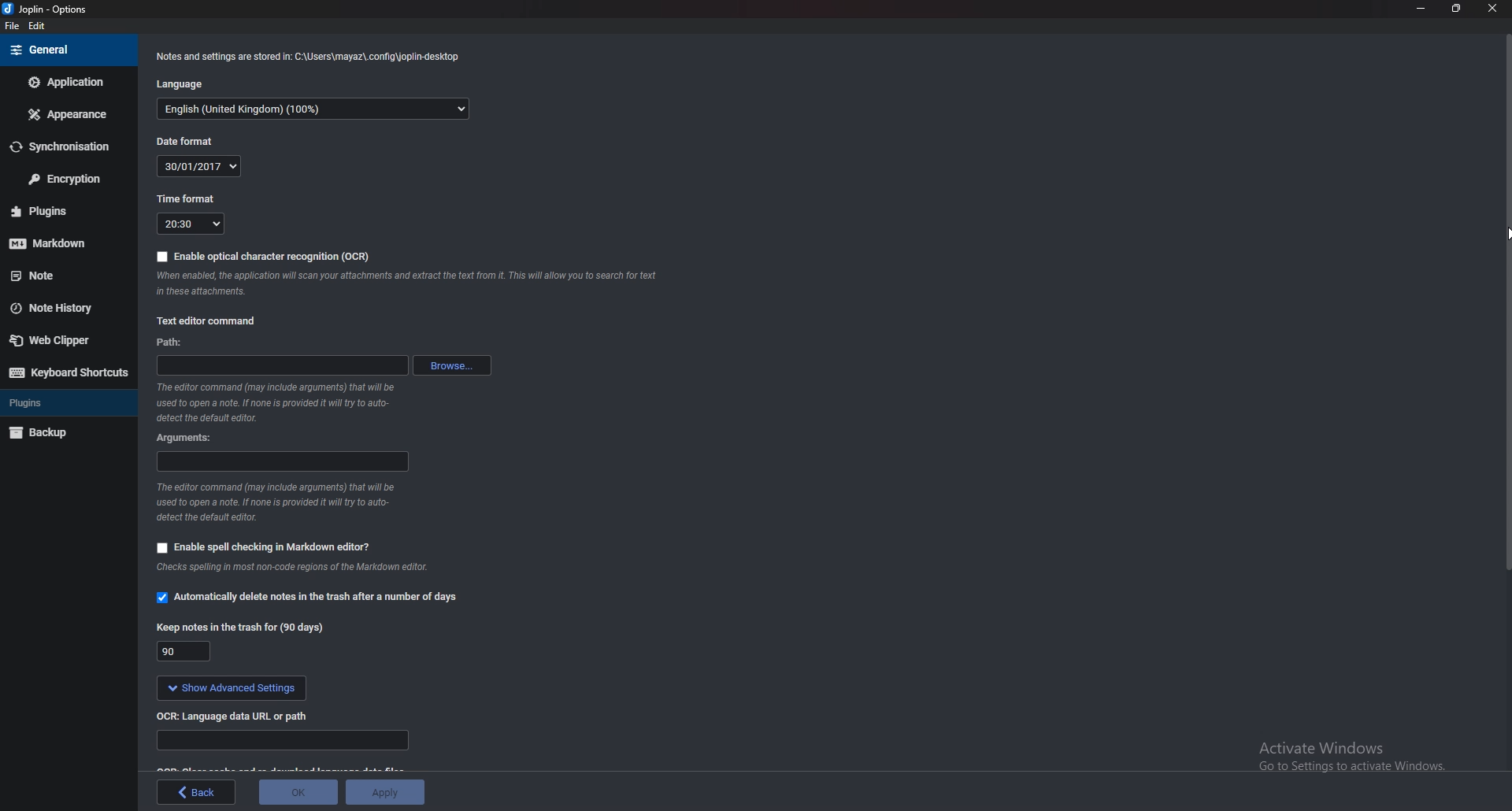 Image resolution: width=1512 pixels, height=811 pixels. What do you see at coordinates (64, 210) in the screenshot?
I see `Plugins` at bounding box center [64, 210].